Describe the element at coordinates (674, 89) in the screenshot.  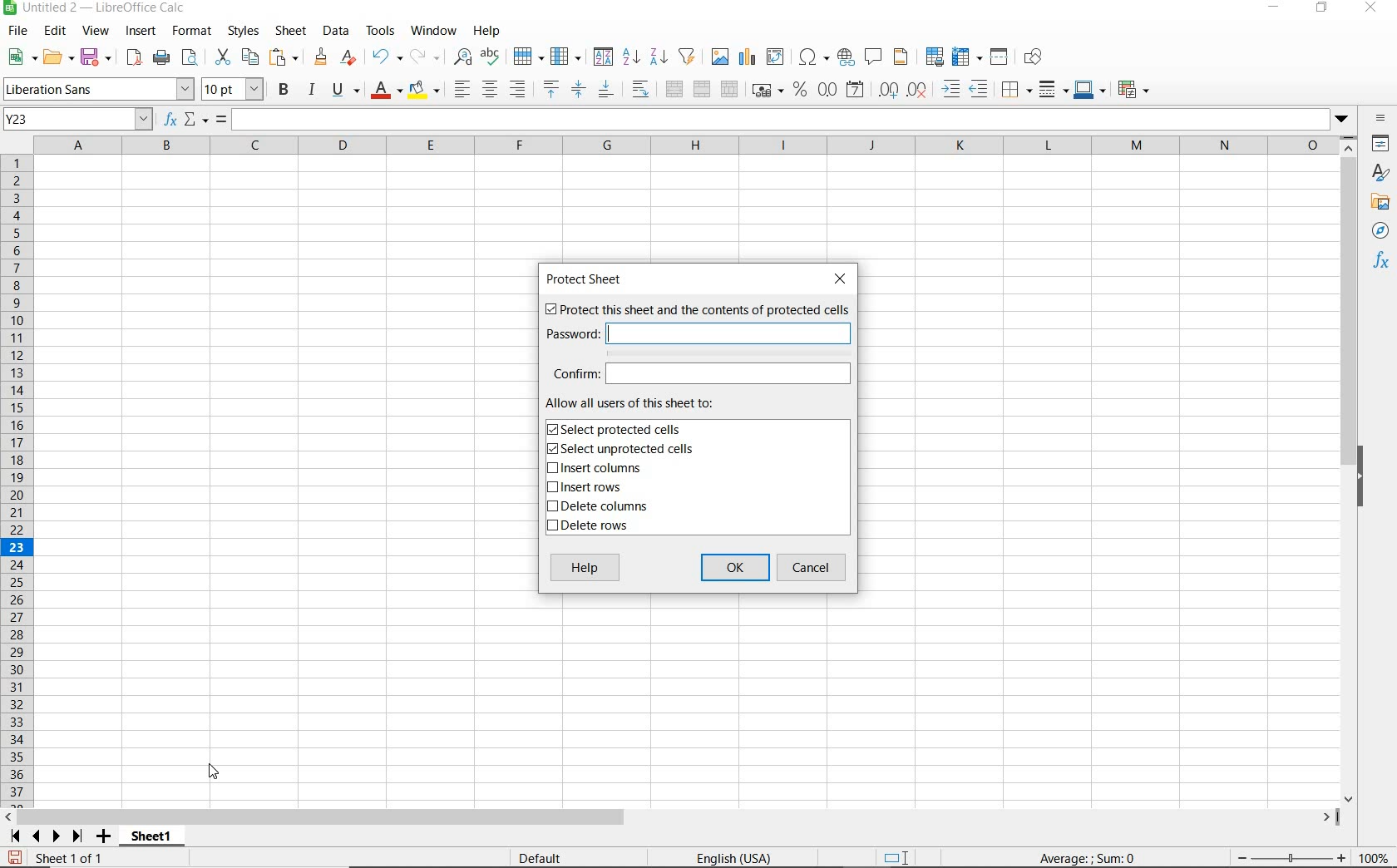
I see `MERGE AND CENTER OR UNMERGE CELLS` at that location.